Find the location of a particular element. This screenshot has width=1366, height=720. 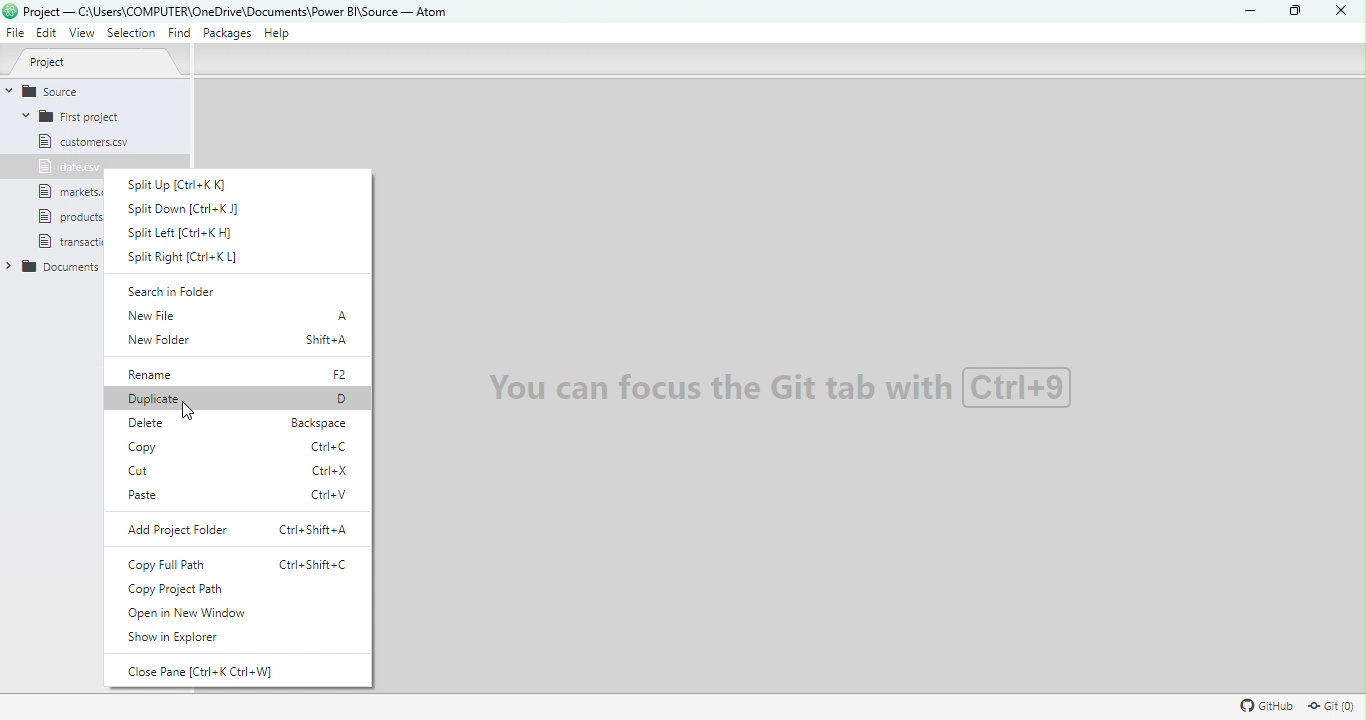

file is located at coordinates (70, 240).